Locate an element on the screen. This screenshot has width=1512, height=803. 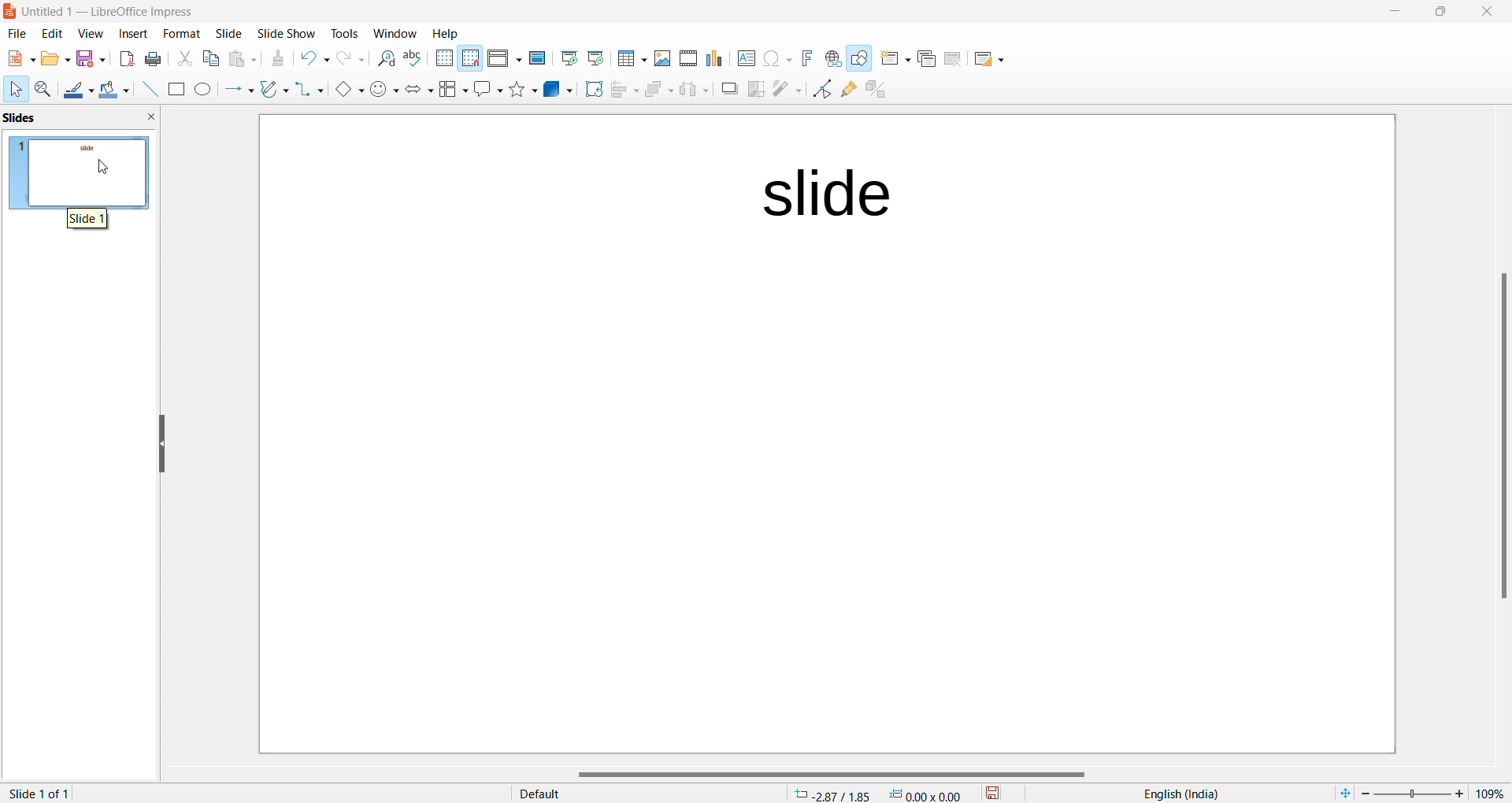
insert is located at coordinates (126, 35).